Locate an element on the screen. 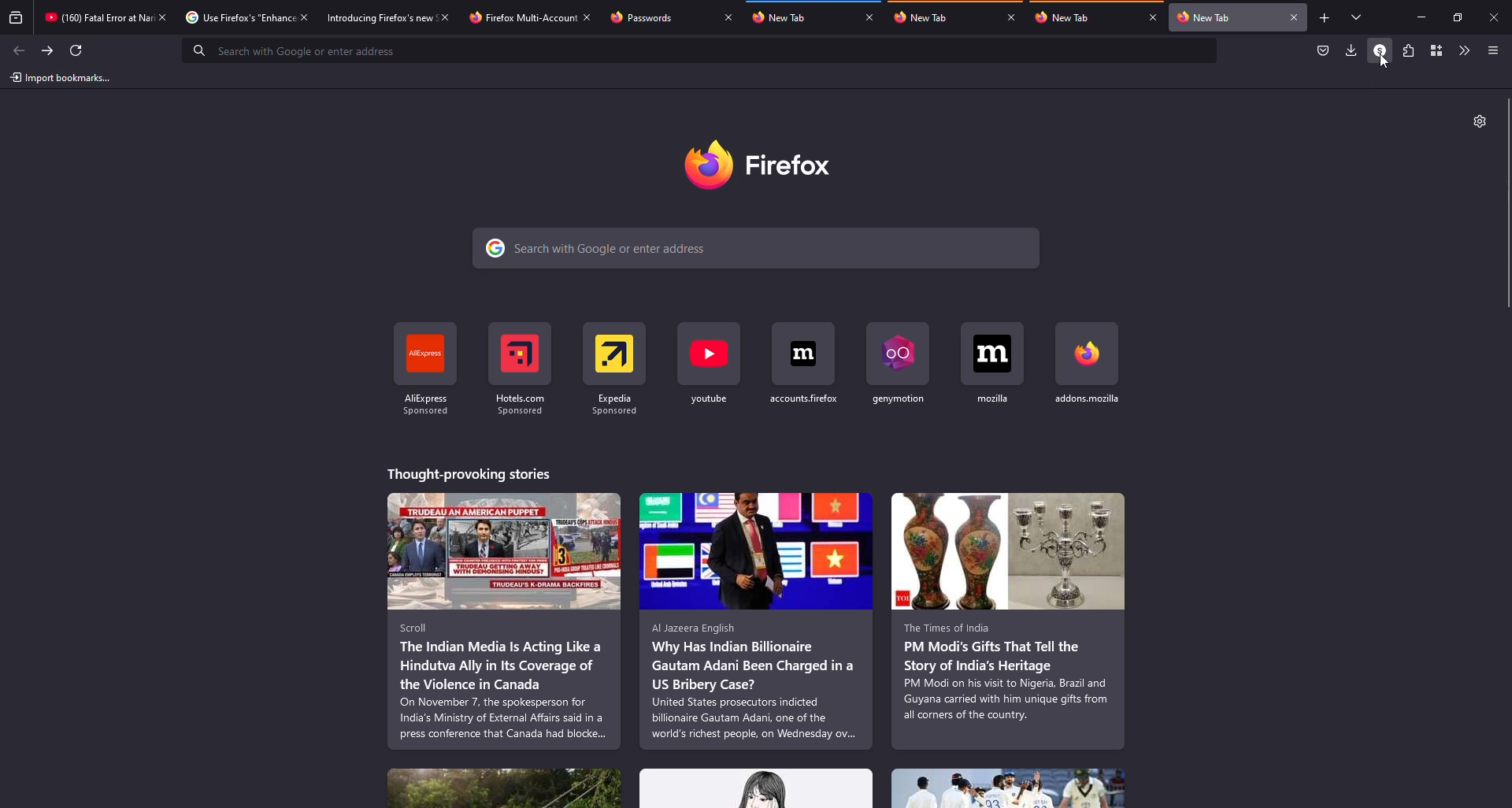 This screenshot has height=808, width=1512. menu is located at coordinates (1494, 50).